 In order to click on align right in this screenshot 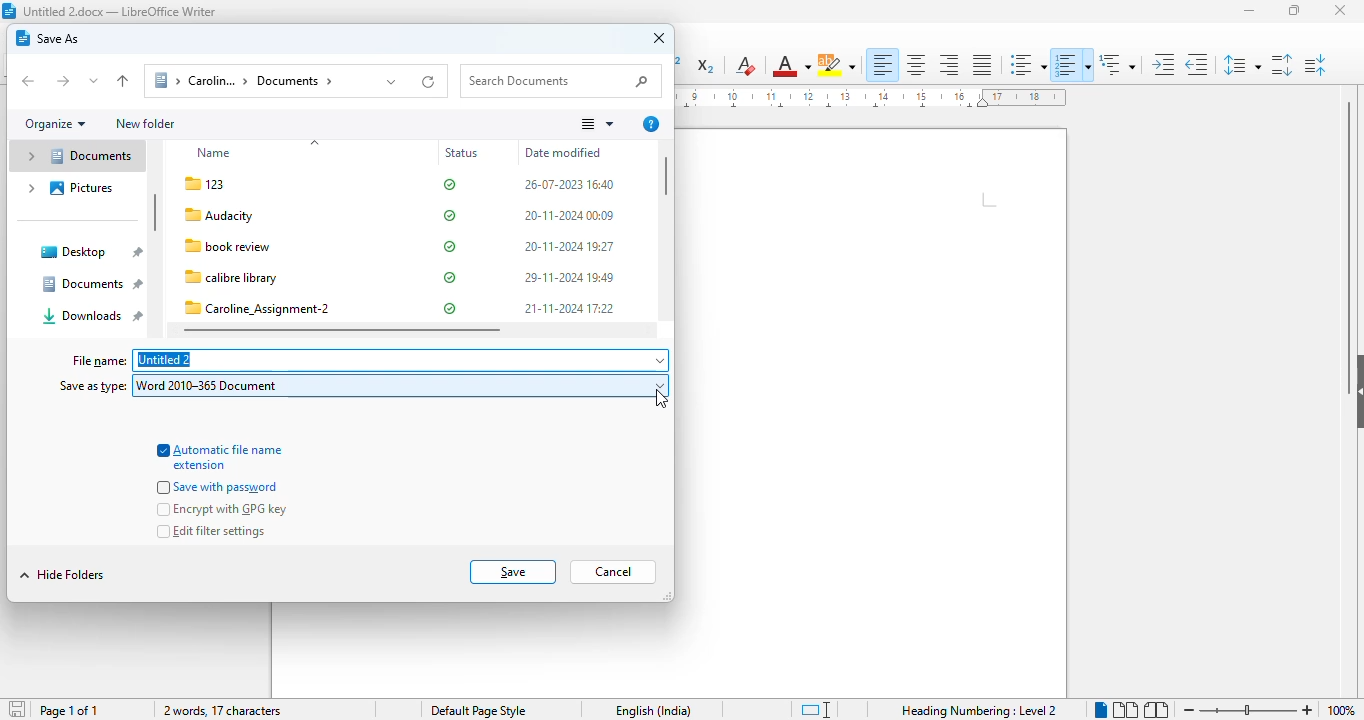, I will do `click(948, 65)`.